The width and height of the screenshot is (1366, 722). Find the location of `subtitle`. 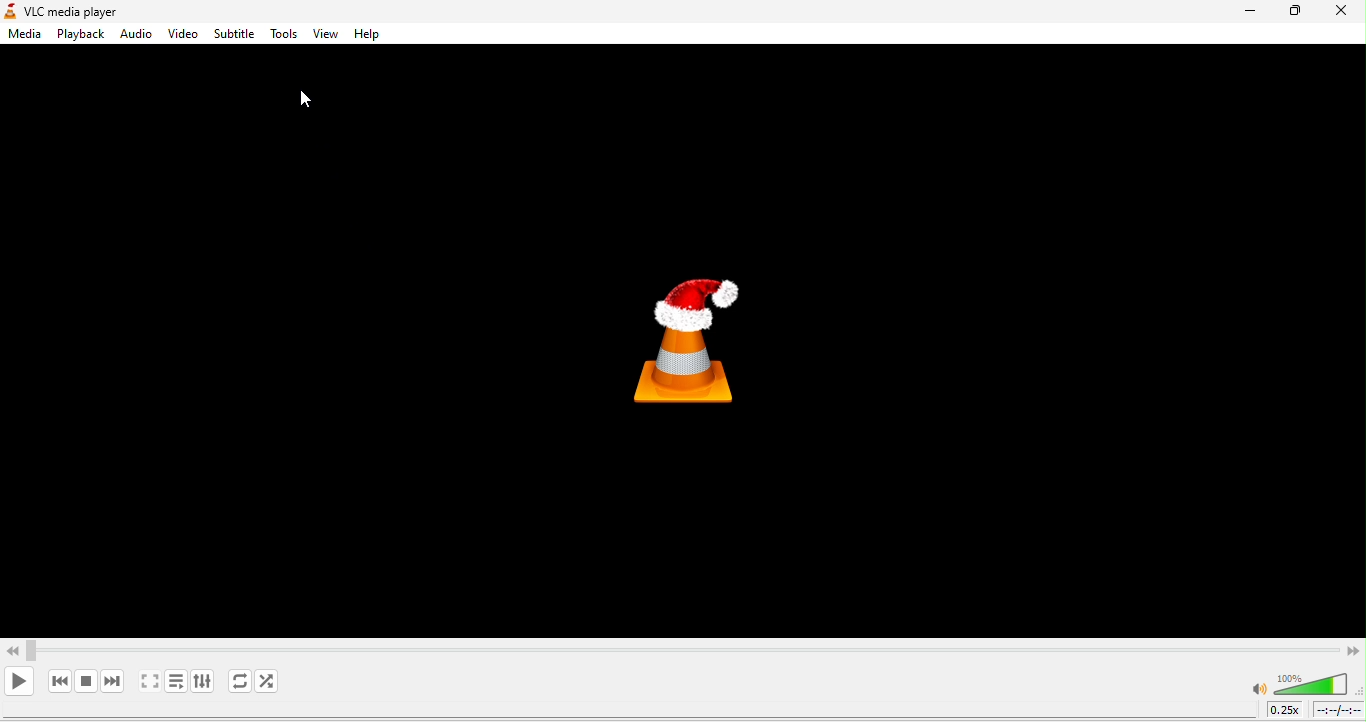

subtitle is located at coordinates (233, 33).